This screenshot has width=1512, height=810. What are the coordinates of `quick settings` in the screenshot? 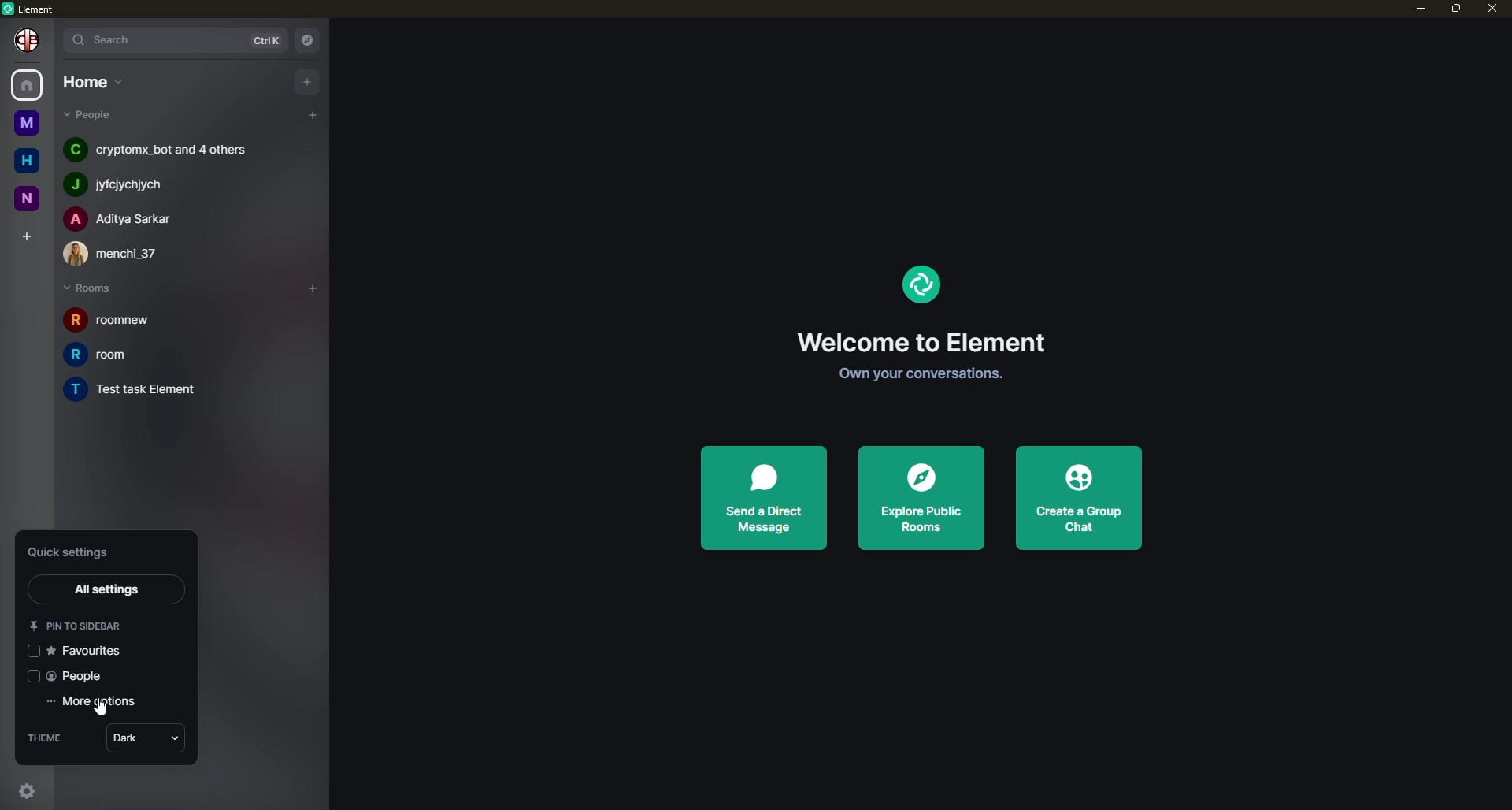 It's located at (29, 790).